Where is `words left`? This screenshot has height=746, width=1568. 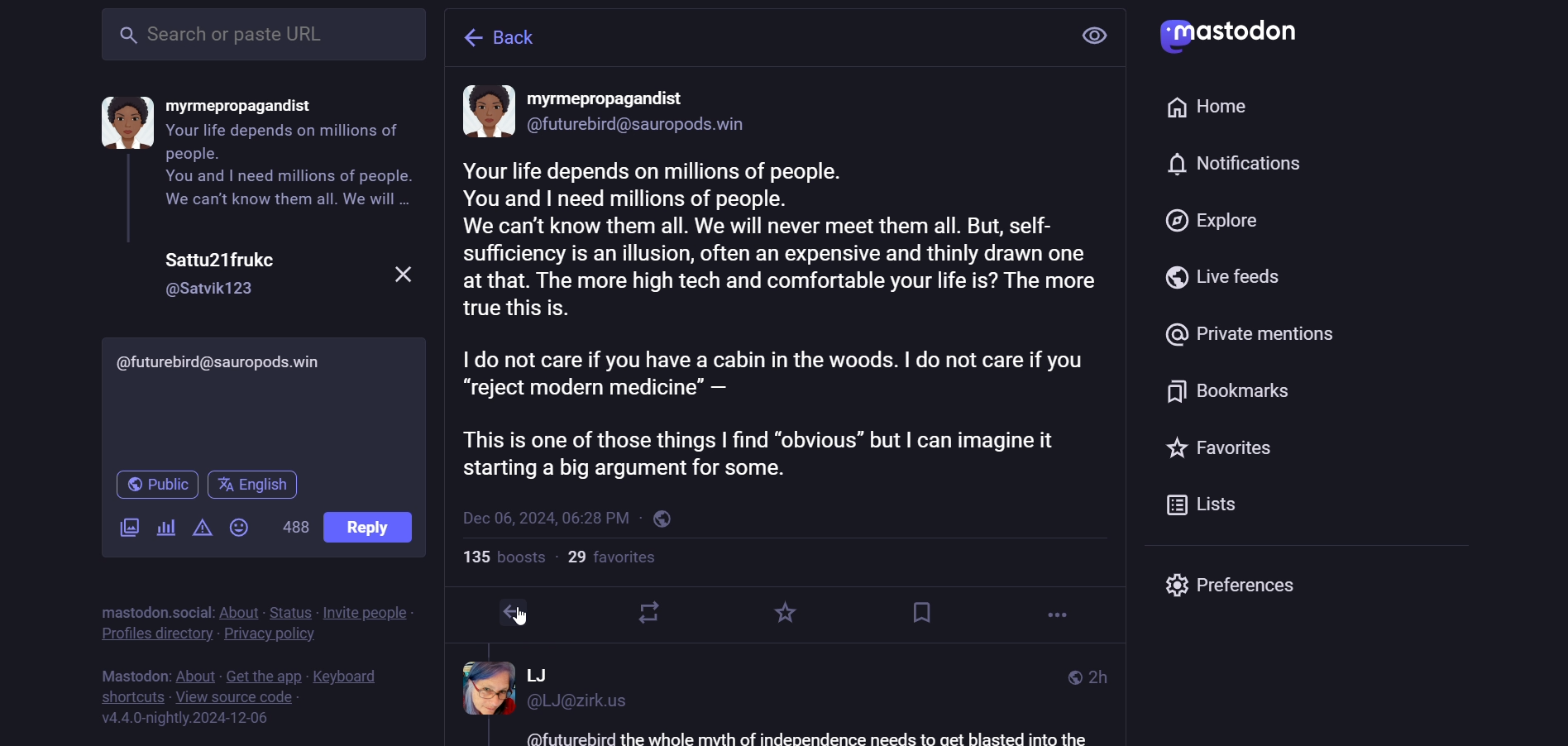 words left is located at coordinates (294, 528).